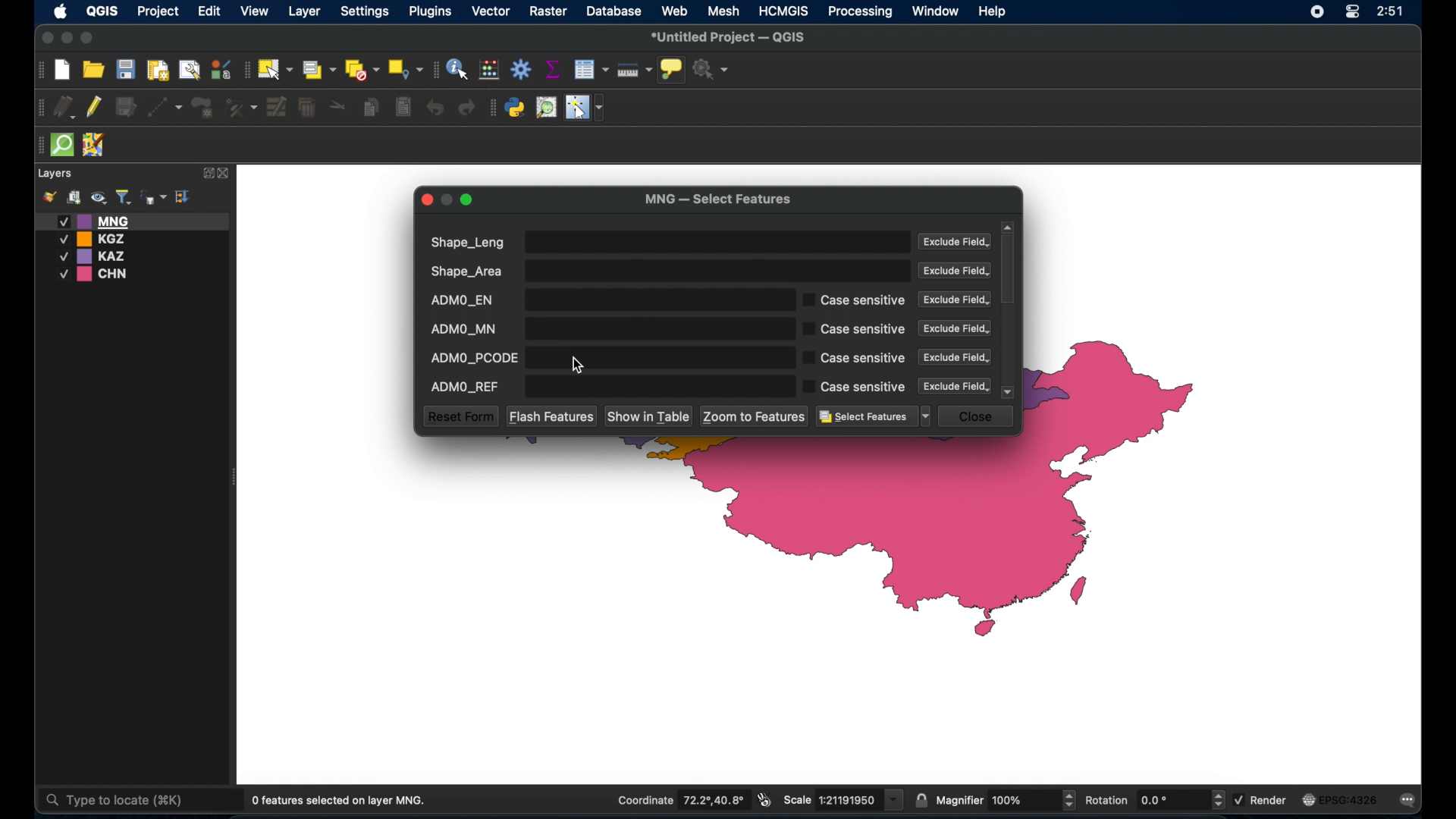 Image resolution: width=1456 pixels, height=819 pixels. Describe the element at coordinates (277, 108) in the screenshot. I see `modify attributes` at that location.